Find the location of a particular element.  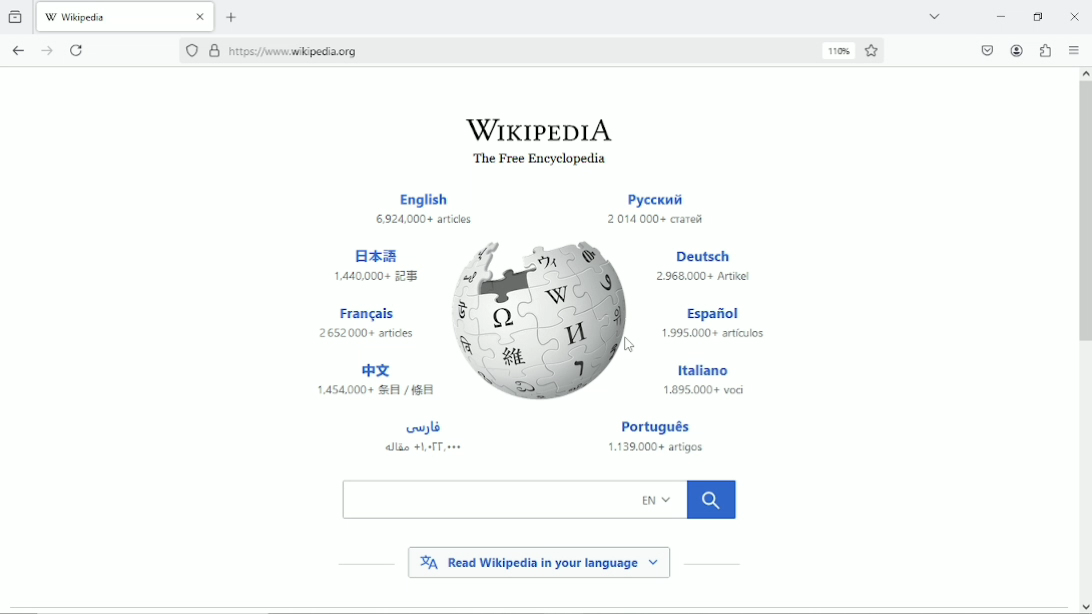

zoom factor is located at coordinates (839, 50).